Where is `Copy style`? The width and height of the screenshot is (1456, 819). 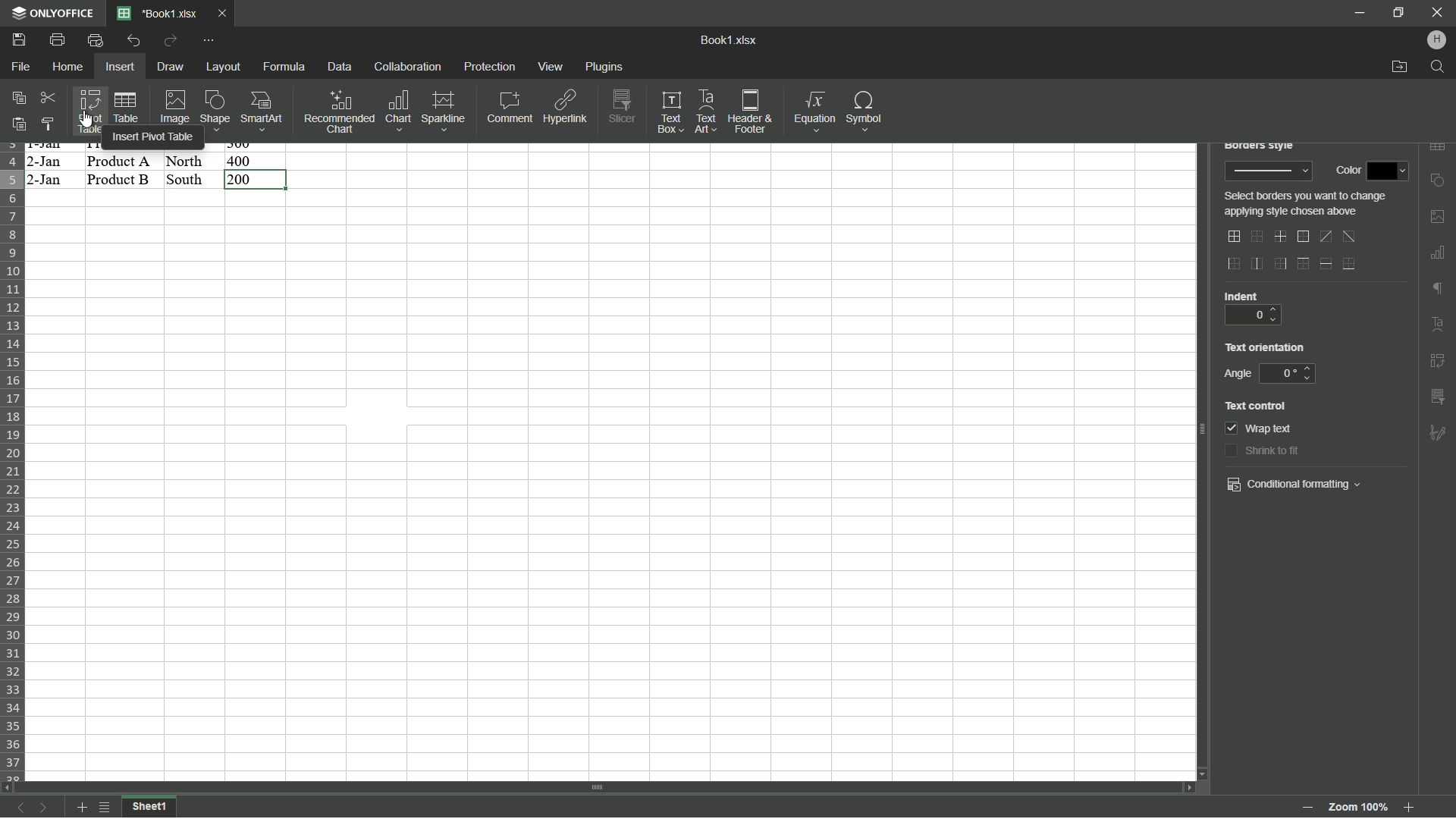
Copy style is located at coordinates (50, 124).